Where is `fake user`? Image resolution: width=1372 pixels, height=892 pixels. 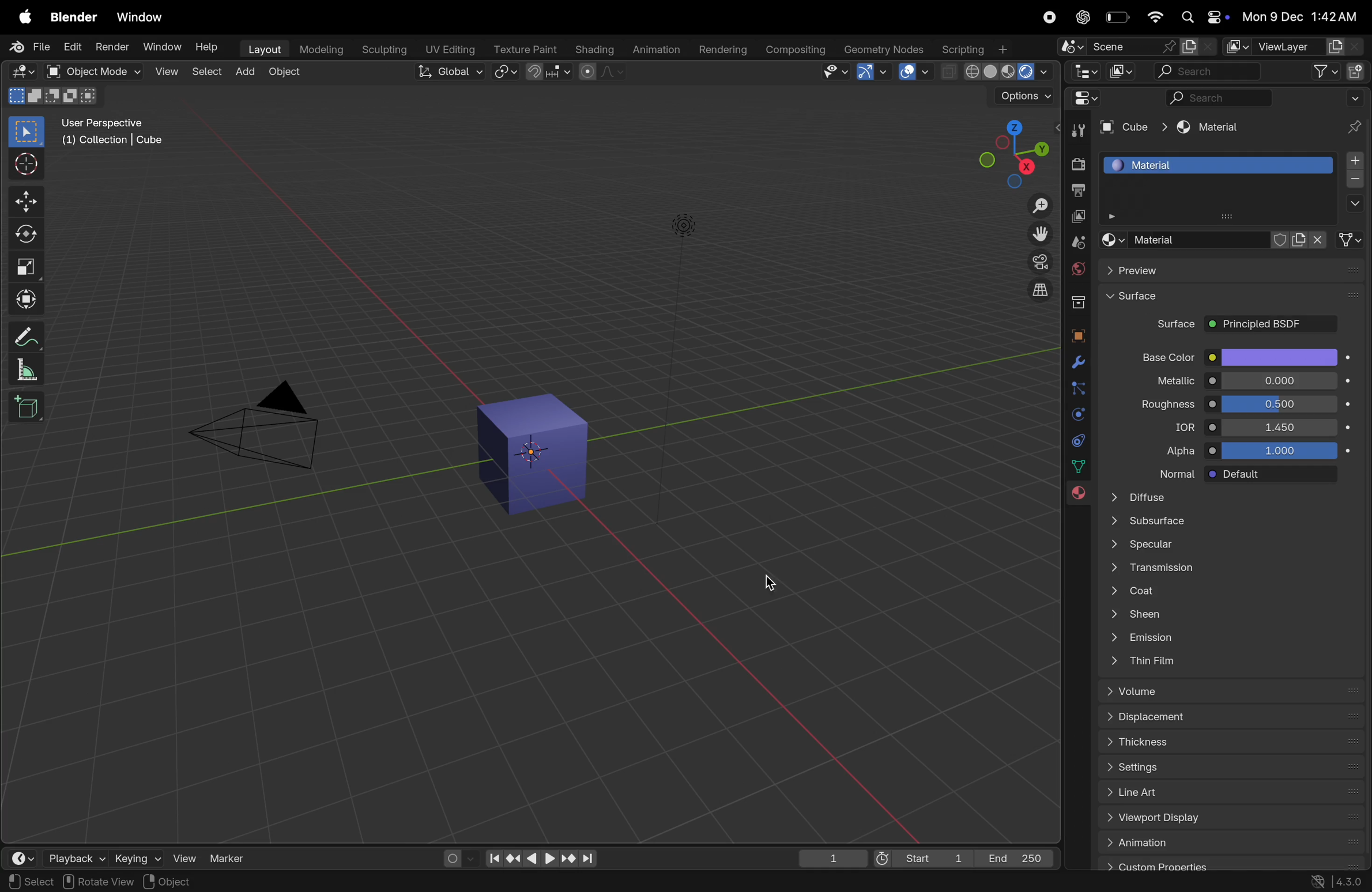 fake user is located at coordinates (1281, 240).